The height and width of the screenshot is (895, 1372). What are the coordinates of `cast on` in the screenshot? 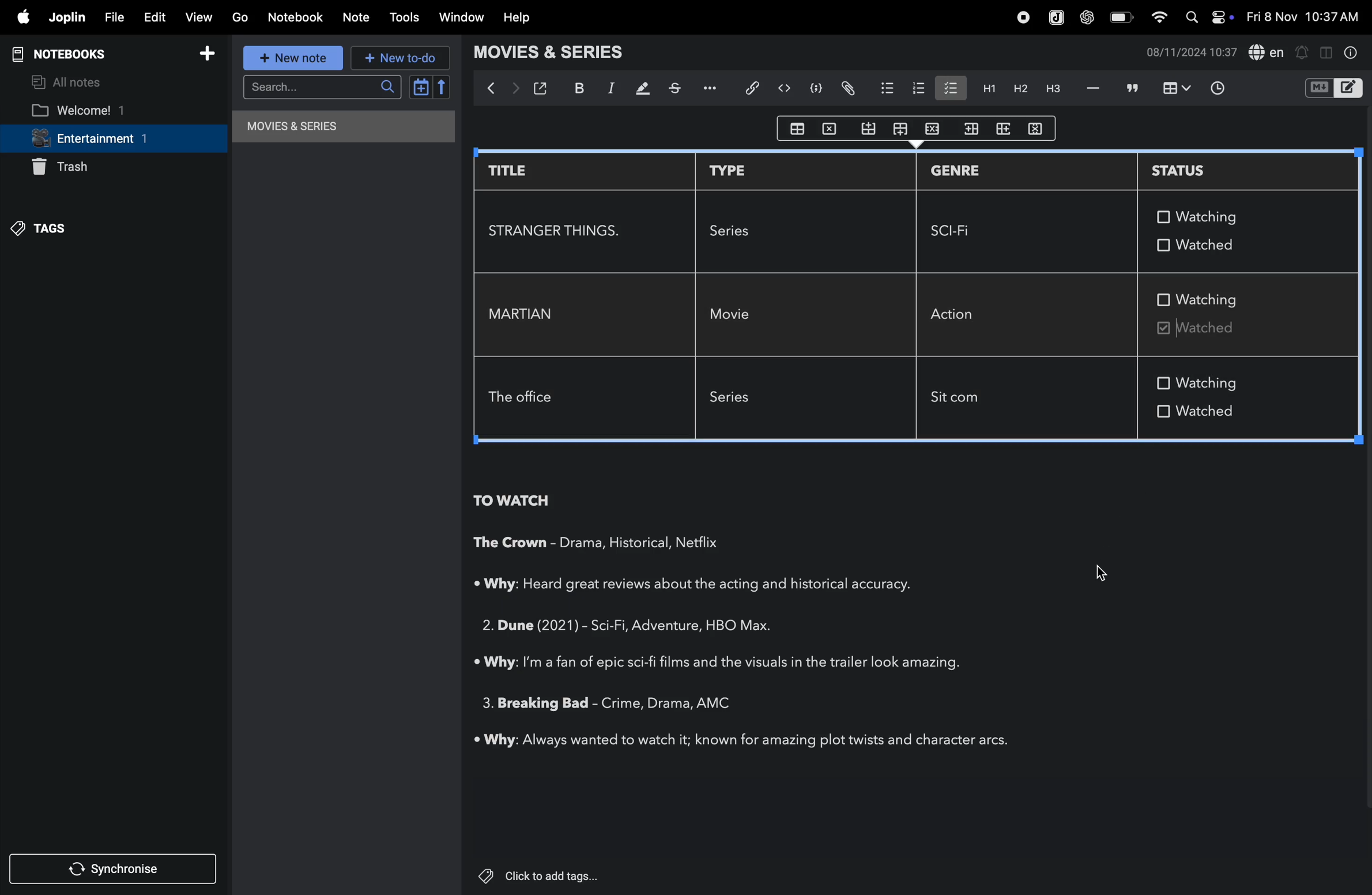 It's located at (702, 543).